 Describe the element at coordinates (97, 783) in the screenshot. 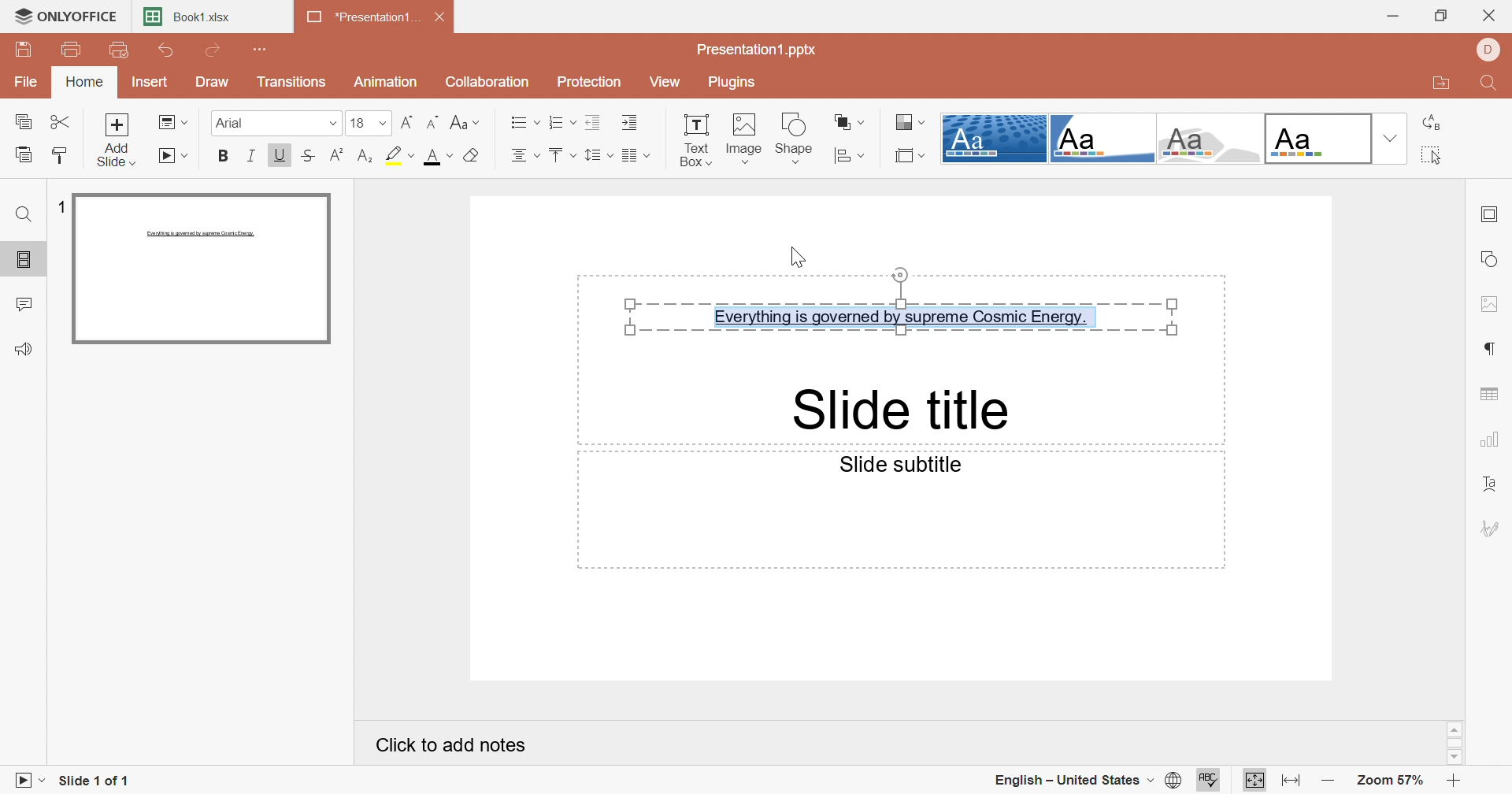

I see `Slide 1 of 1` at that location.